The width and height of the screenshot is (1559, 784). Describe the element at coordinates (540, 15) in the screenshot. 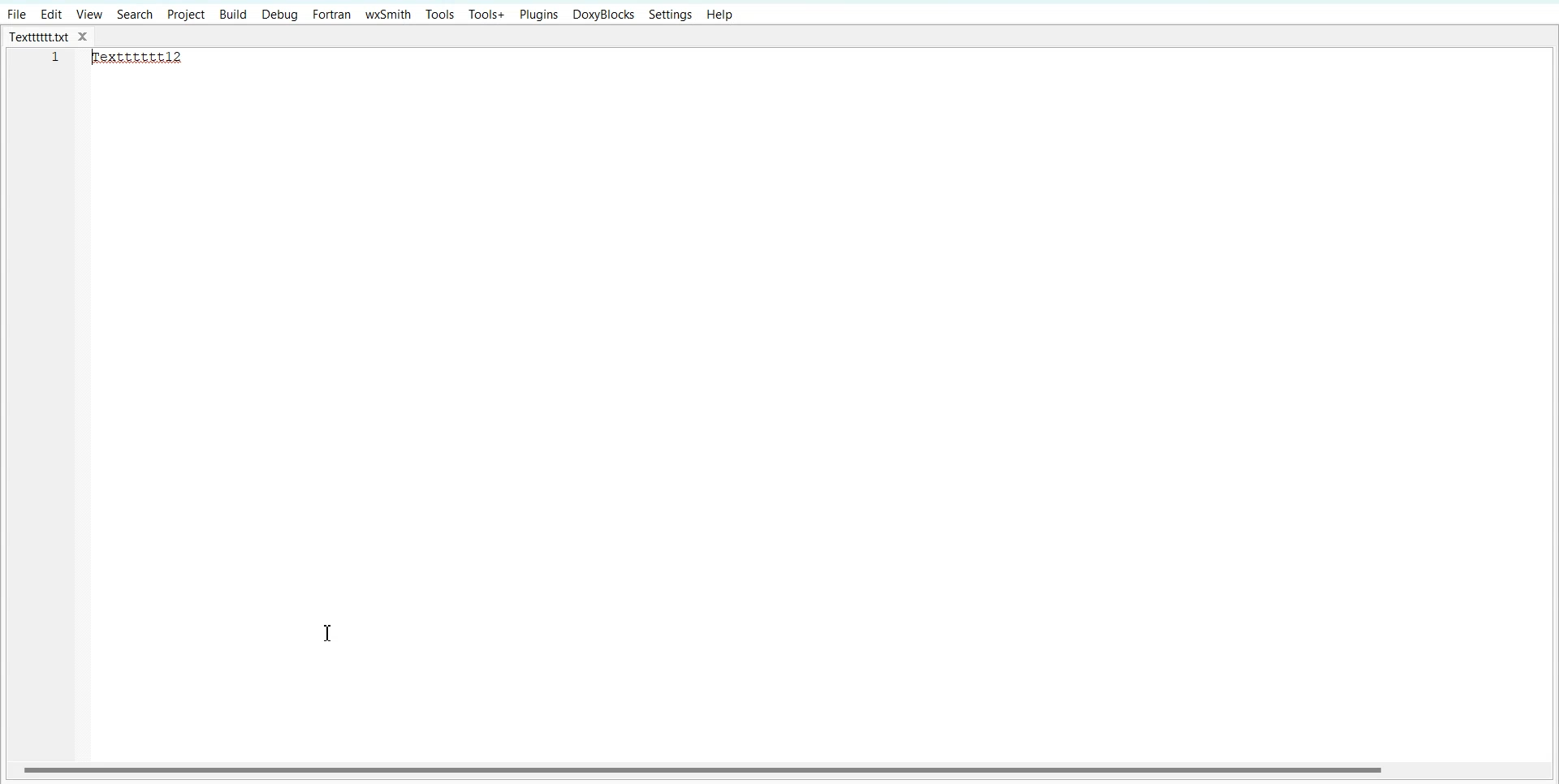

I see `Plugins` at that location.